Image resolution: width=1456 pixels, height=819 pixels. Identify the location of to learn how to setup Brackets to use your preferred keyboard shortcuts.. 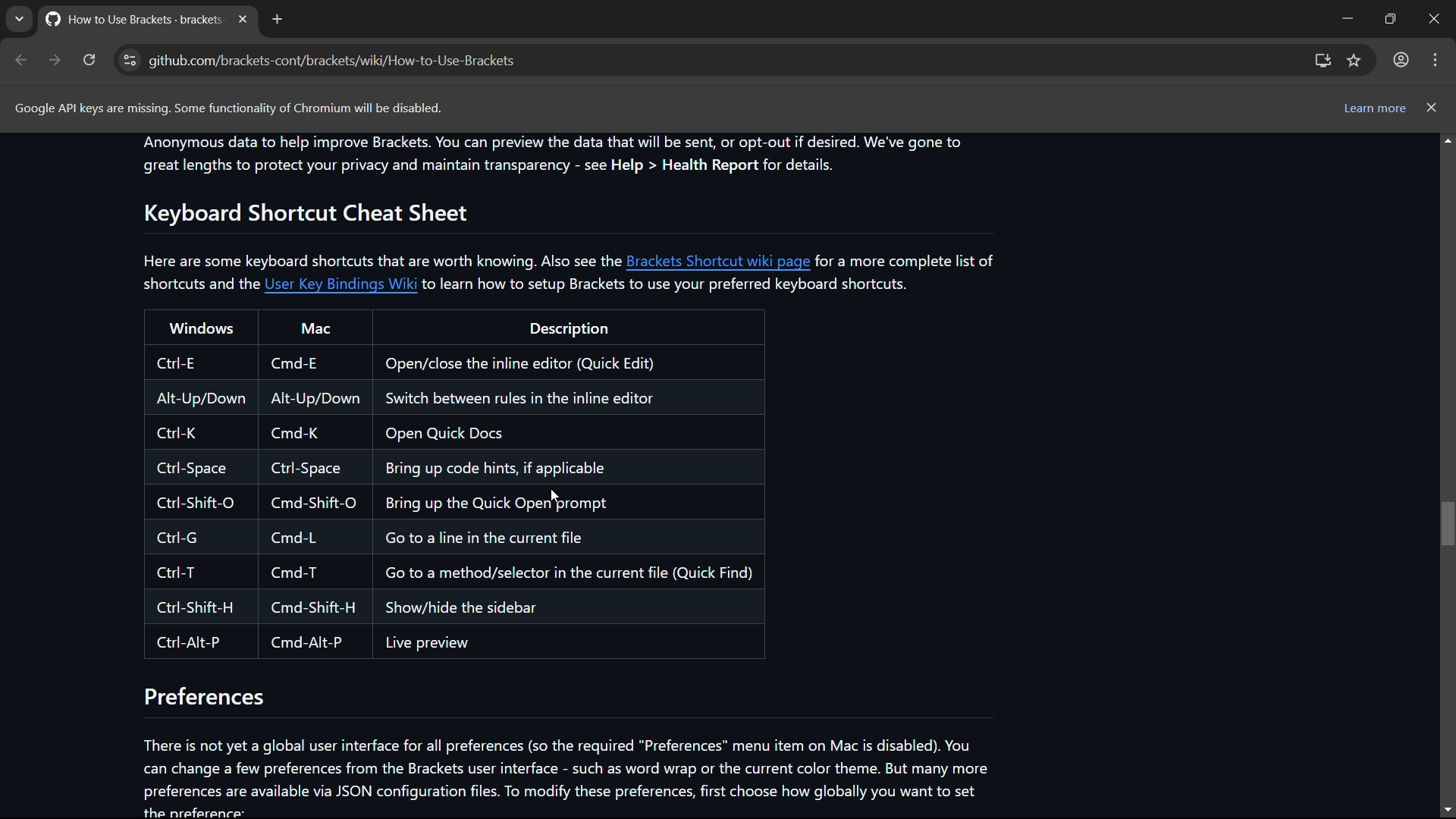
(671, 284).